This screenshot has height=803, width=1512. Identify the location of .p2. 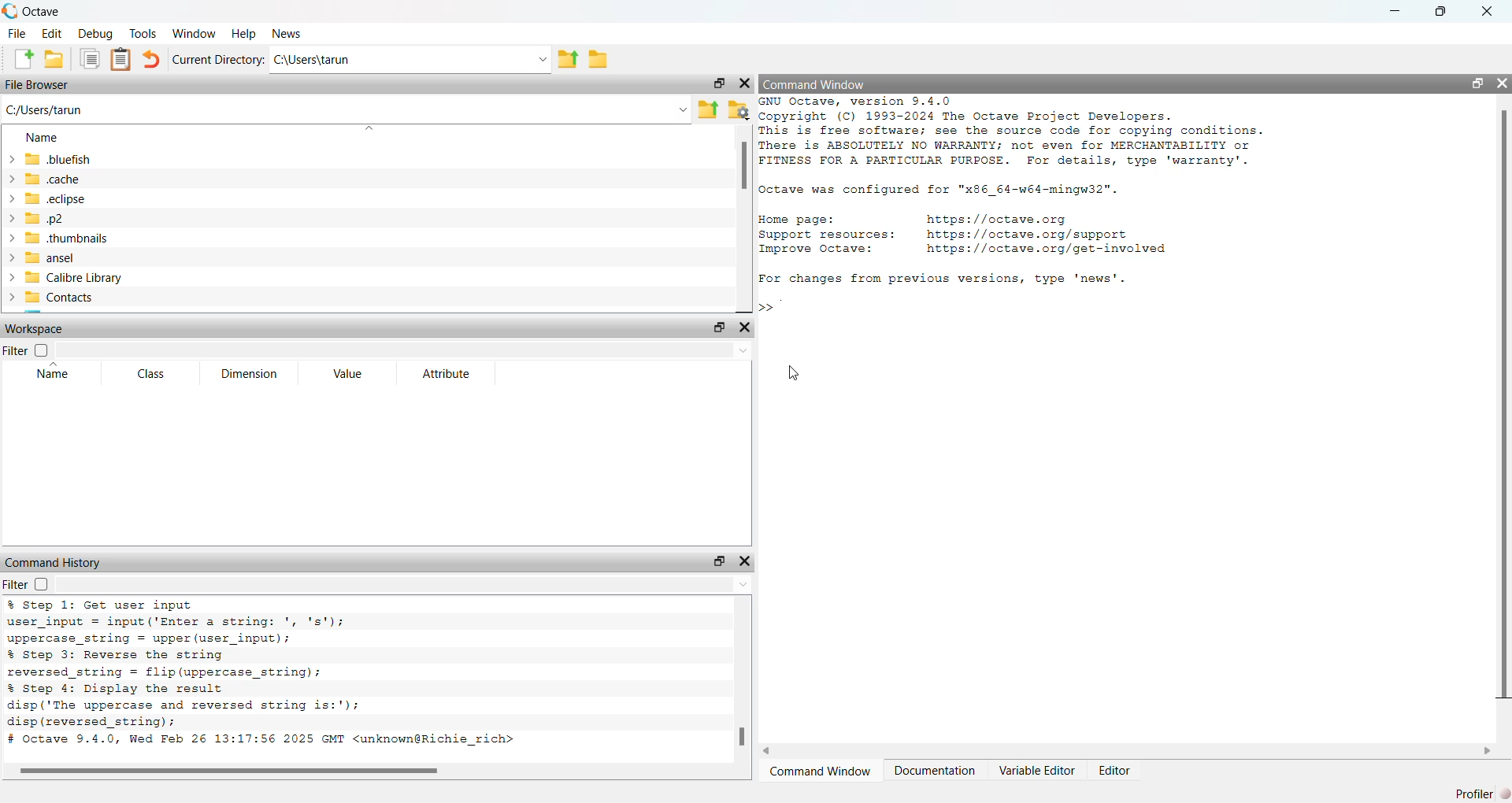
(88, 220).